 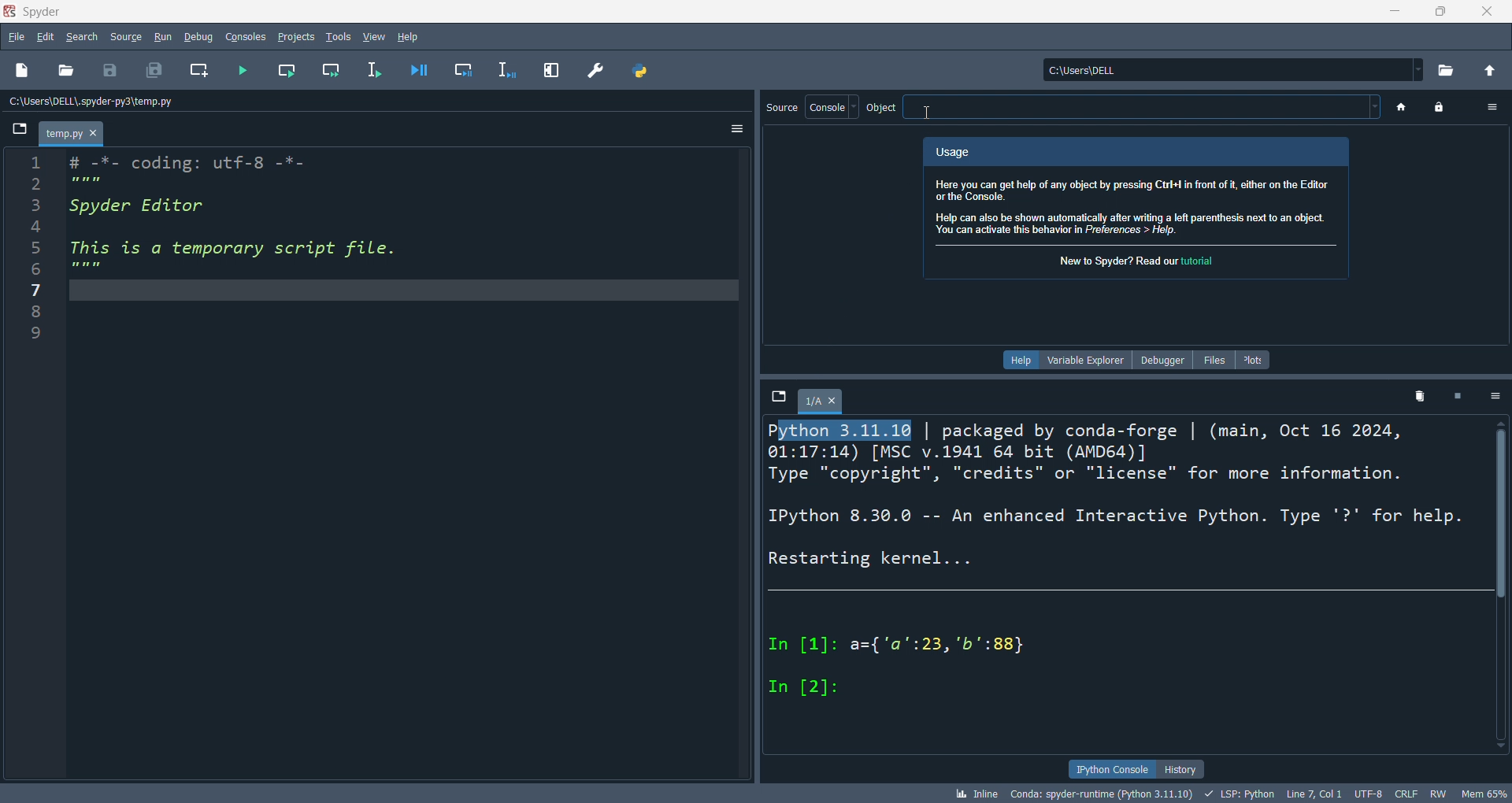 What do you see at coordinates (637, 71) in the screenshot?
I see `path manager` at bounding box center [637, 71].